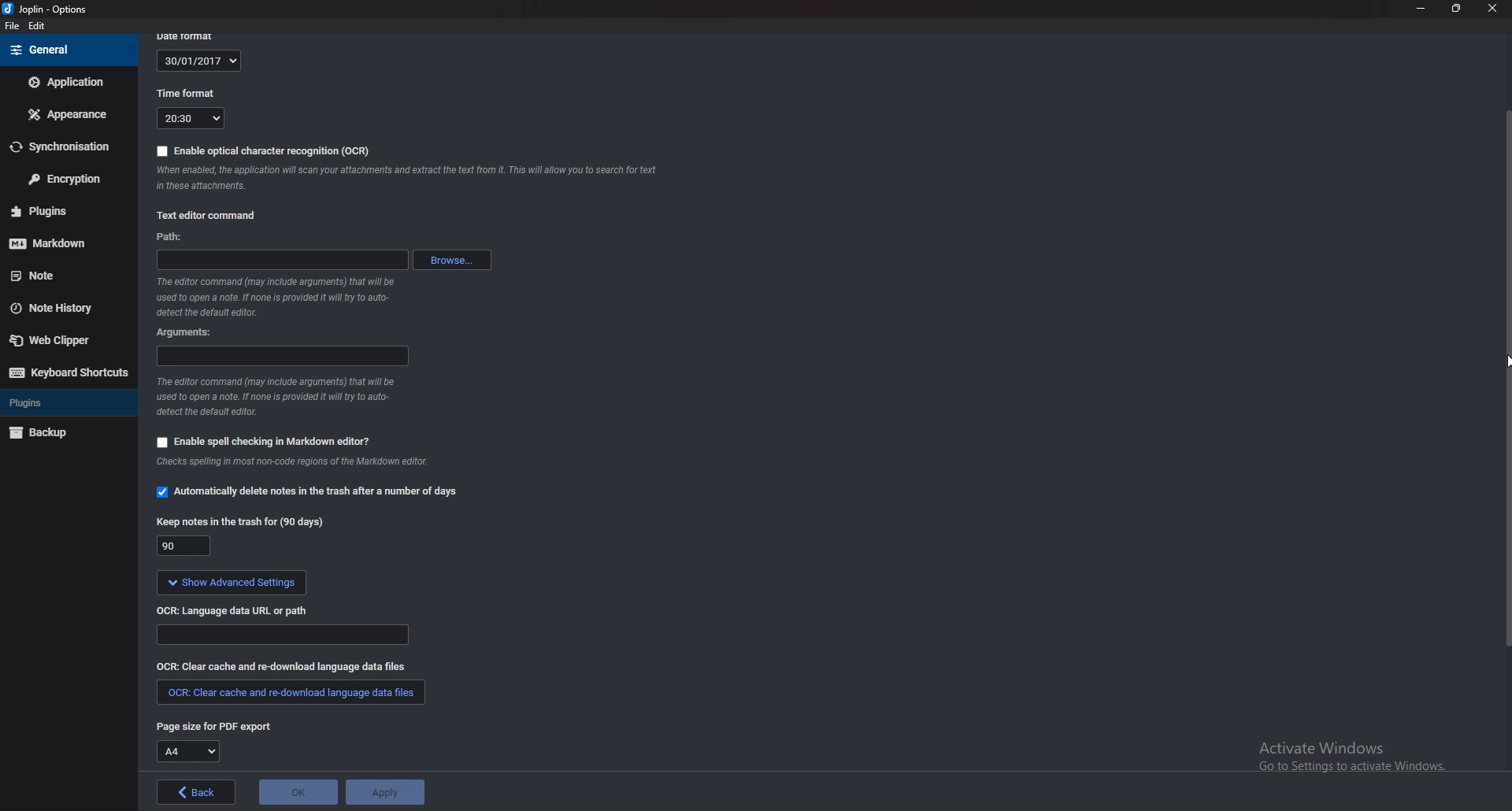 This screenshot has height=811, width=1512. I want to click on automatically delete notes, so click(315, 494).